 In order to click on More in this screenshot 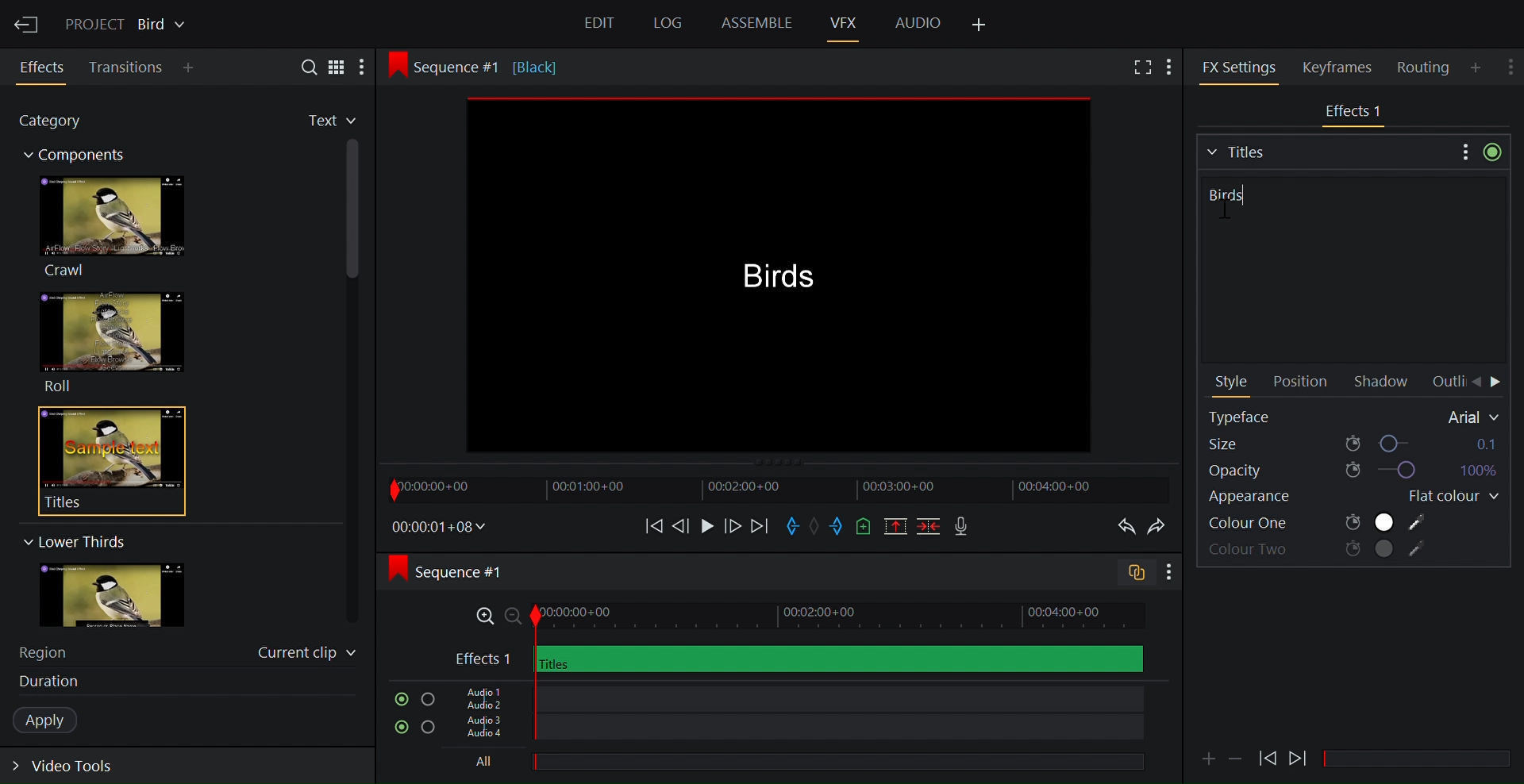, I will do `click(368, 67)`.